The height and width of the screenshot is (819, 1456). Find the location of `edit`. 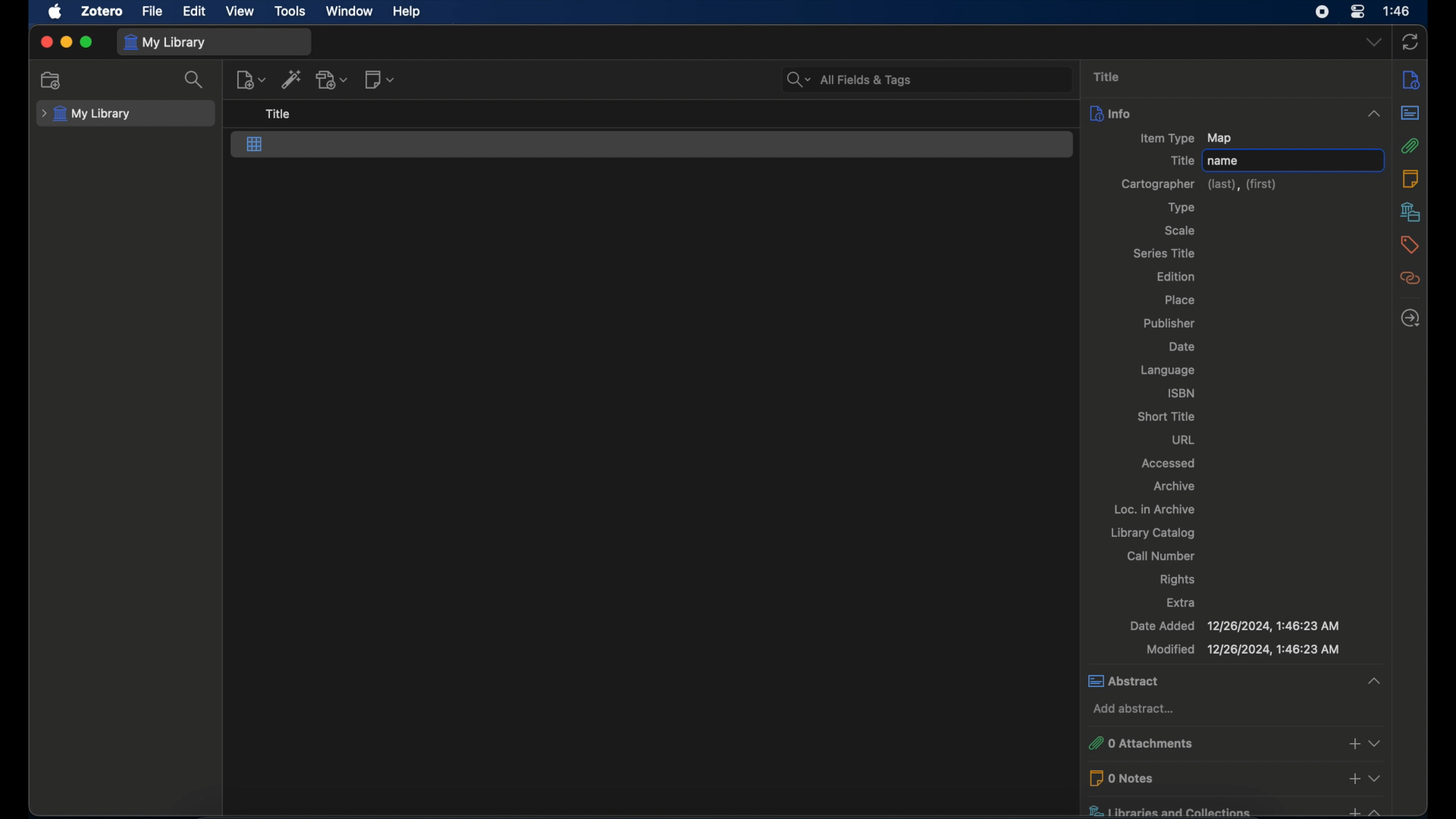

edit is located at coordinates (193, 11).